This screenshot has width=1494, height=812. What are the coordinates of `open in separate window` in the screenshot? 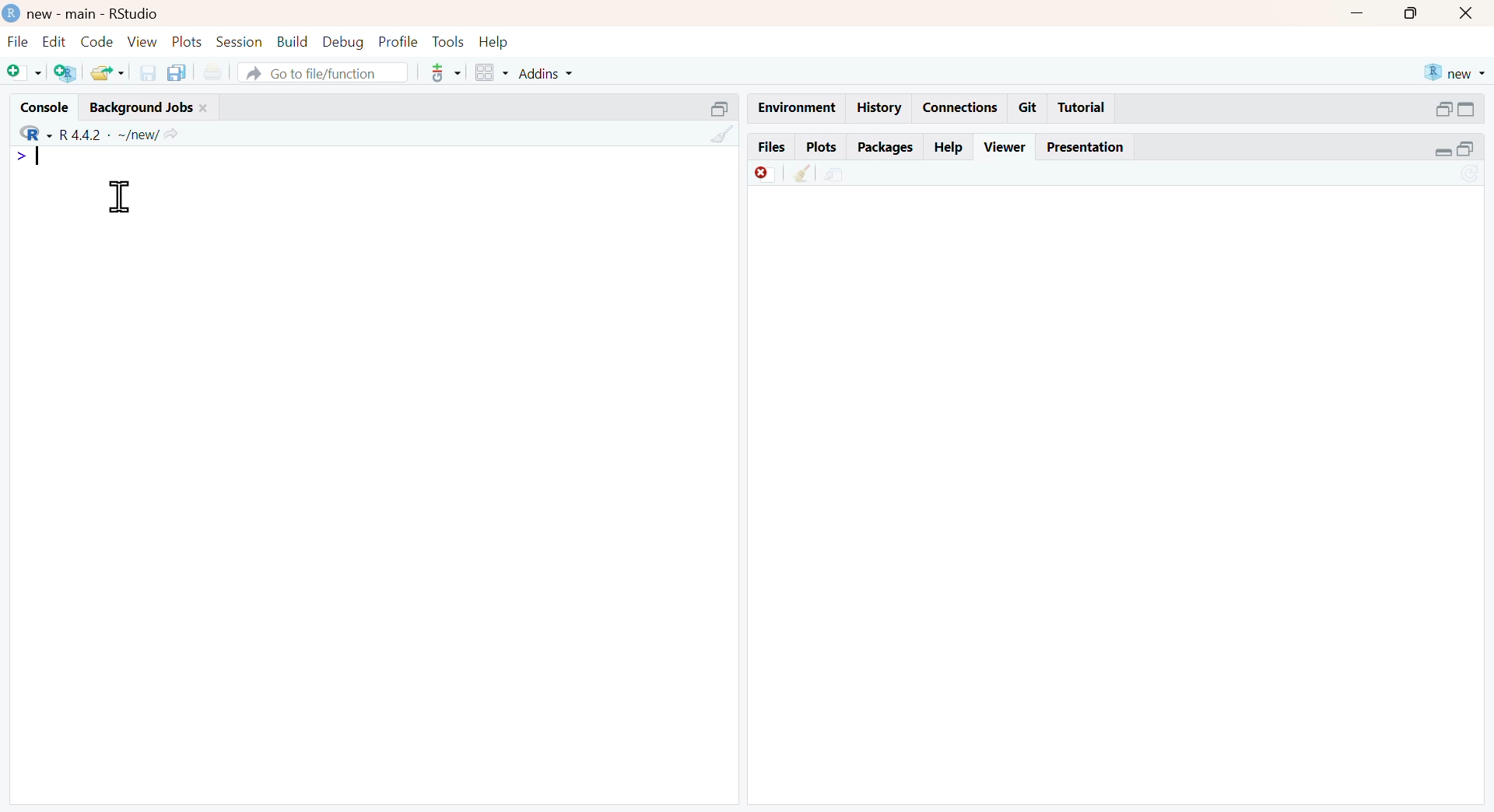 It's located at (1444, 110).